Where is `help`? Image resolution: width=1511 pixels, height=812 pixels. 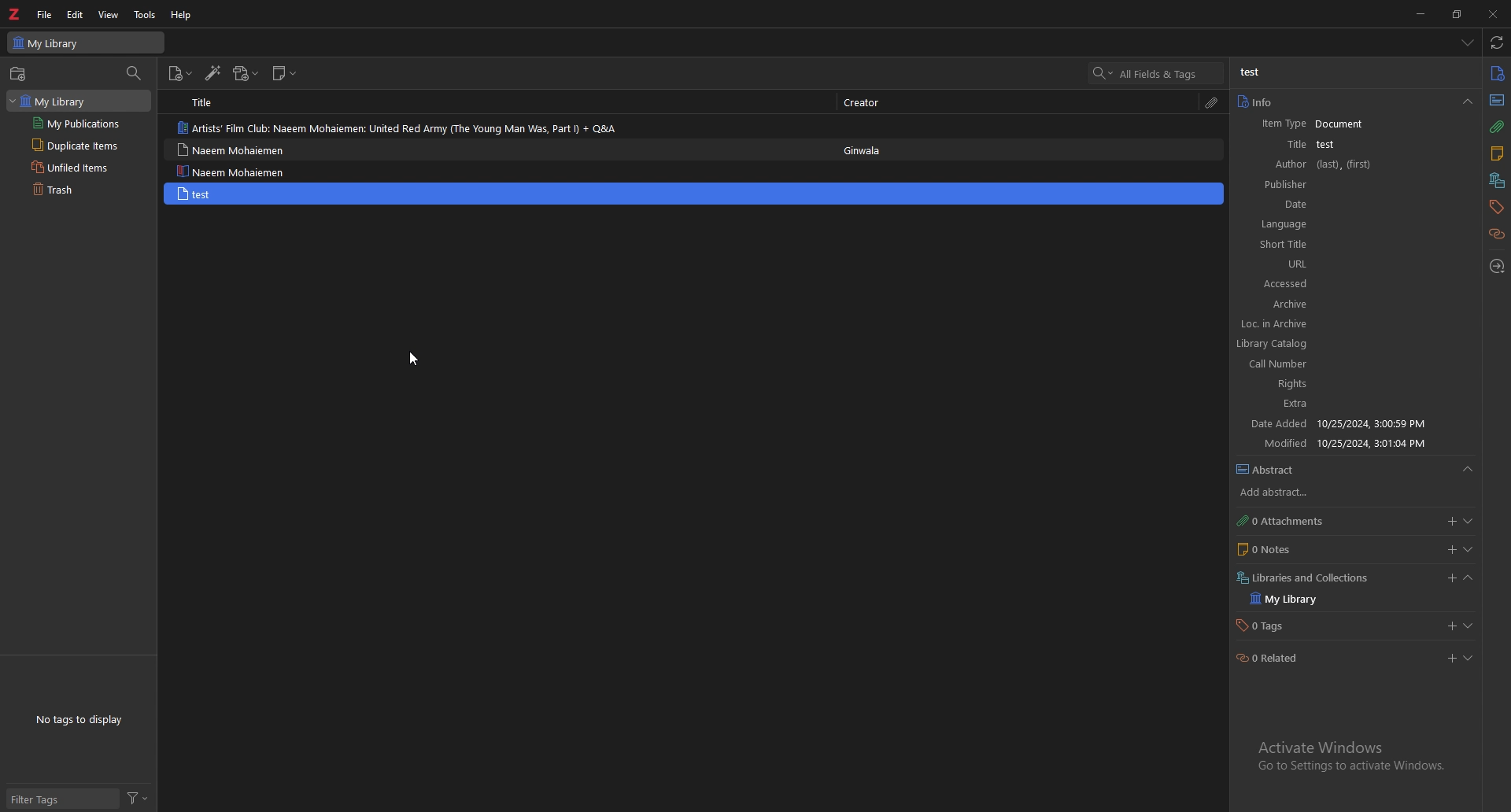
help is located at coordinates (183, 15).